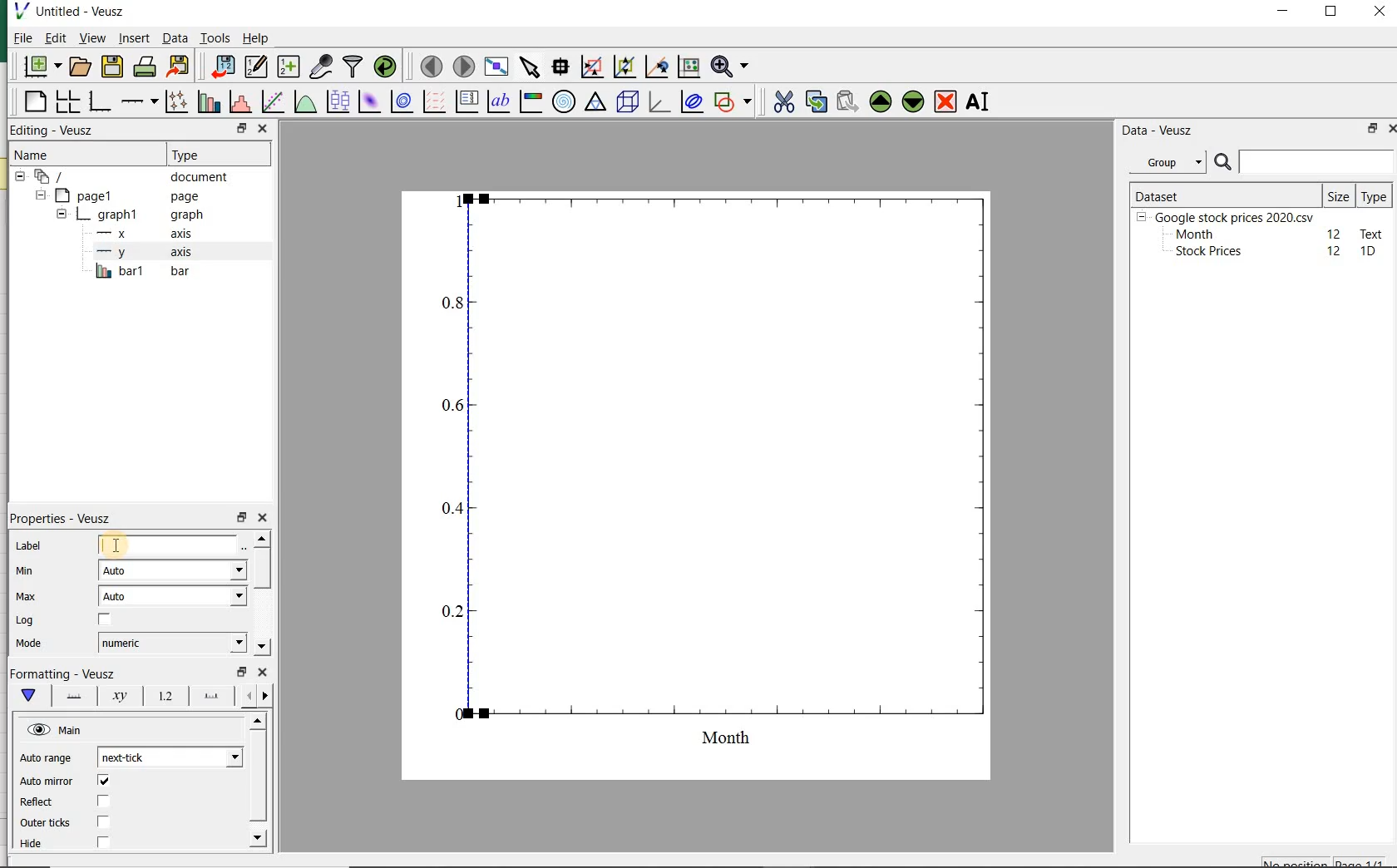 The height and width of the screenshot is (868, 1397). Describe the element at coordinates (24, 620) in the screenshot. I see `Log` at that location.